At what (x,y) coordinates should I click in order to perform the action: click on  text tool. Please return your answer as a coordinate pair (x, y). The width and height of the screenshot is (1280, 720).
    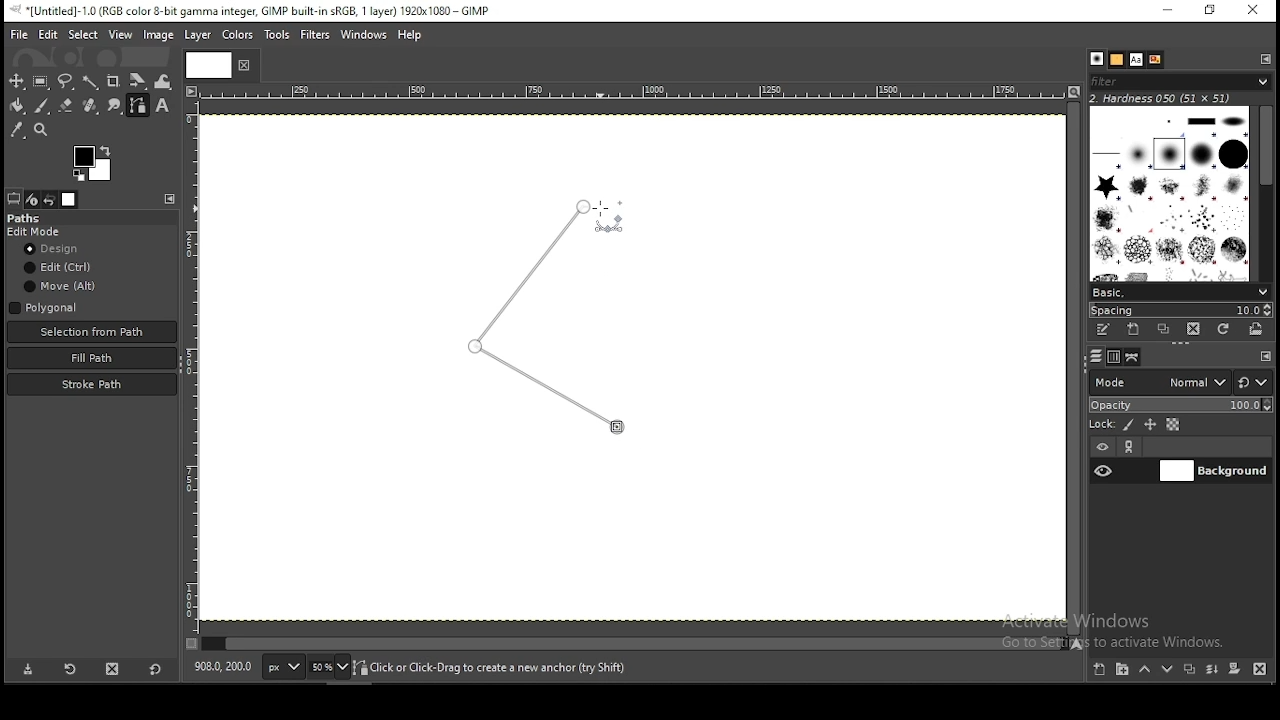
    Looking at the image, I should click on (165, 108).